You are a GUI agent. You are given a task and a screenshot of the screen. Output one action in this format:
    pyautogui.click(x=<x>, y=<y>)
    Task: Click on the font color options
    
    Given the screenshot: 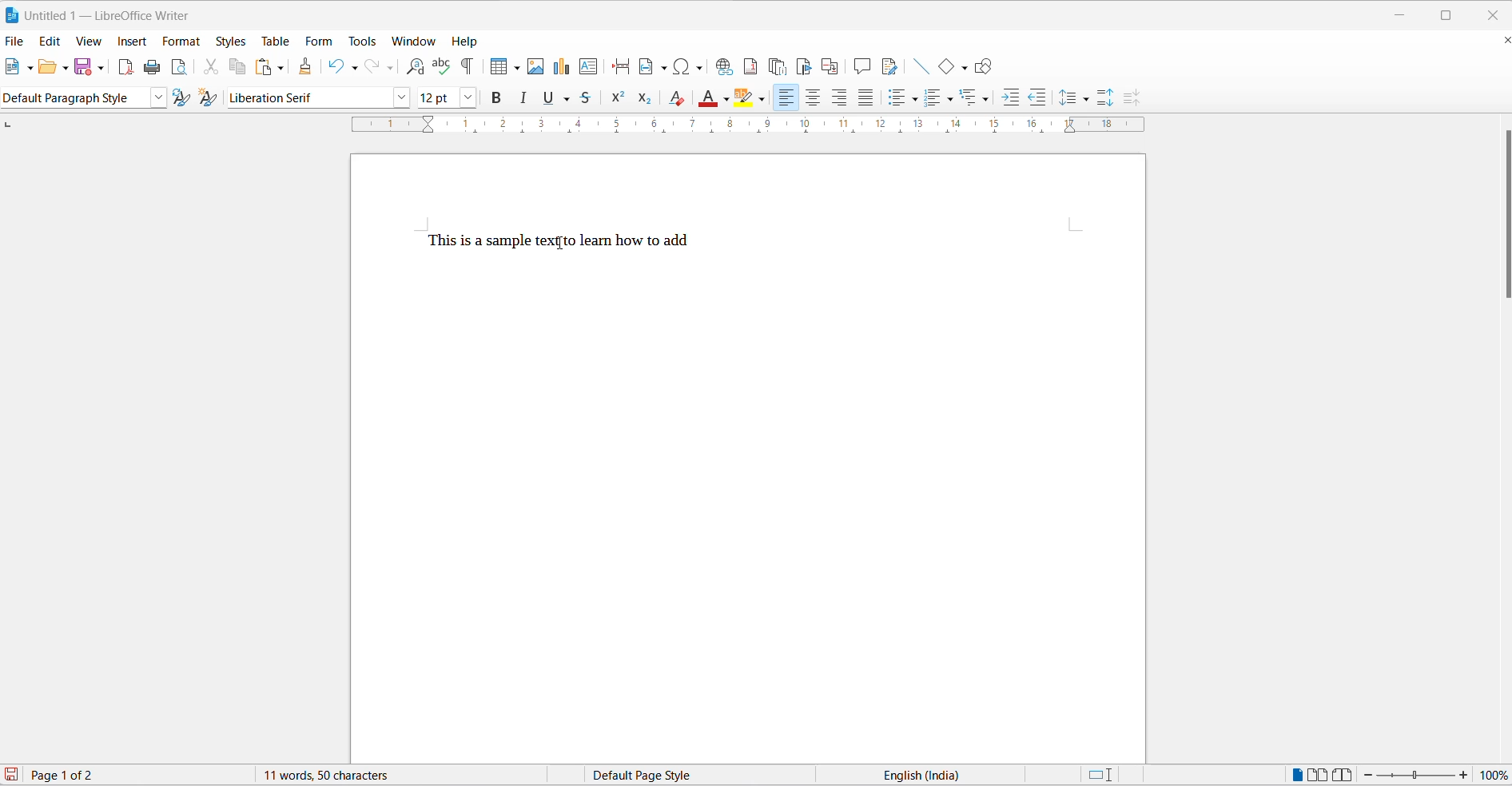 What is the action you would take?
    pyautogui.click(x=726, y=99)
    